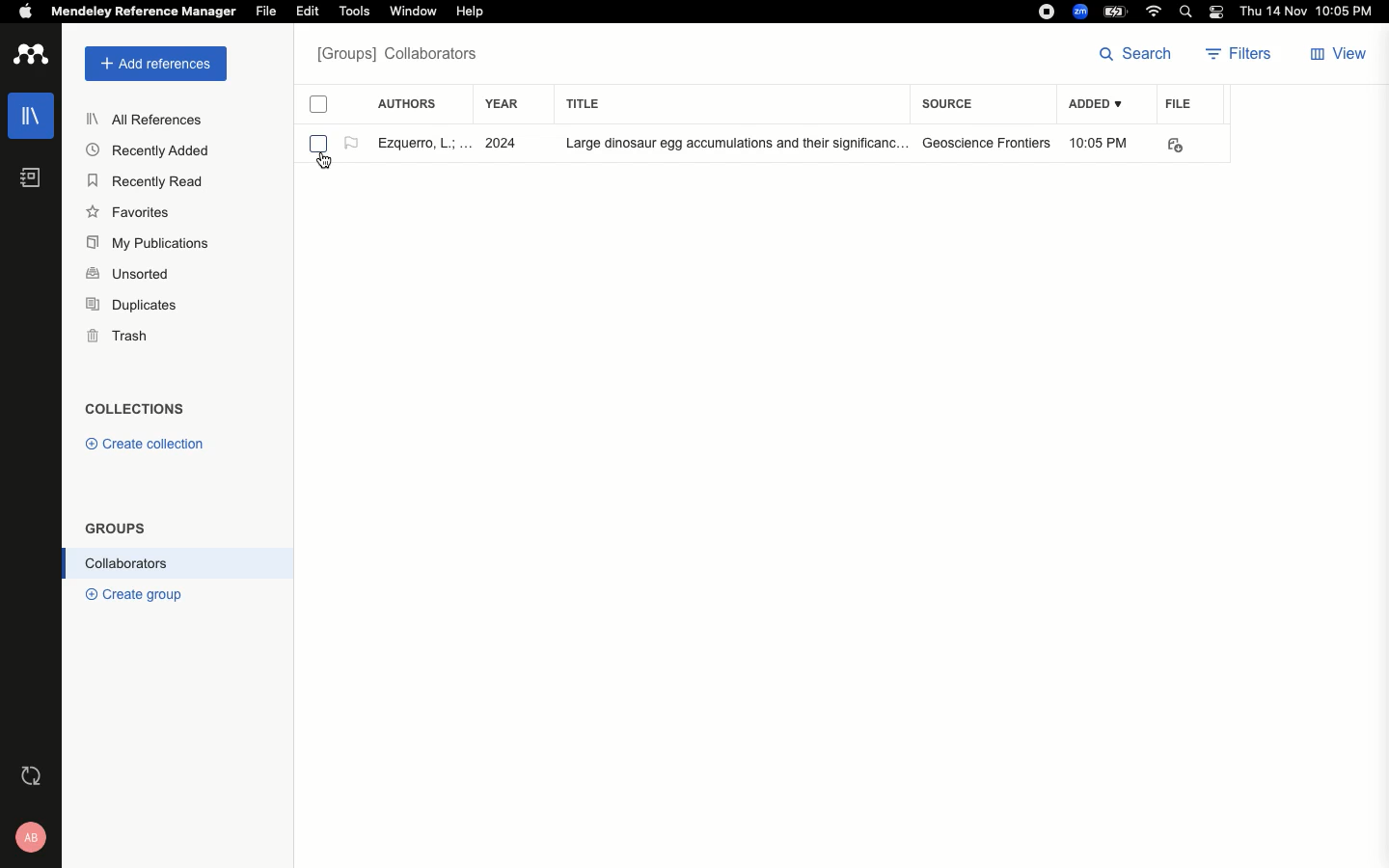  What do you see at coordinates (120, 339) in the screenshot?
I see `Trash` at bounding box center [120, 339].